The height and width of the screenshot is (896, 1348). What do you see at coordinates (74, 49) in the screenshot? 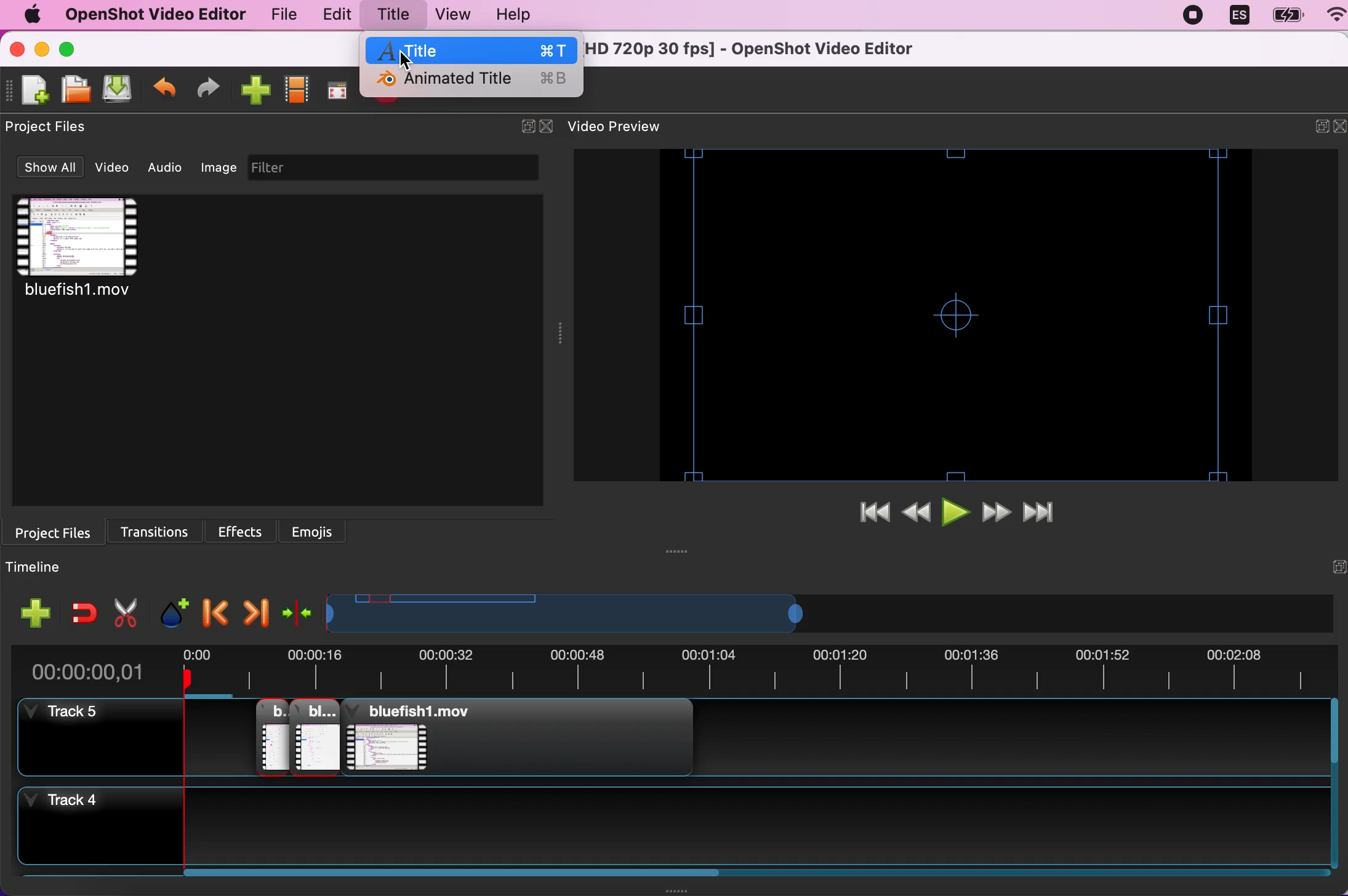
I see `maximize` at bounding box center [74, 49].